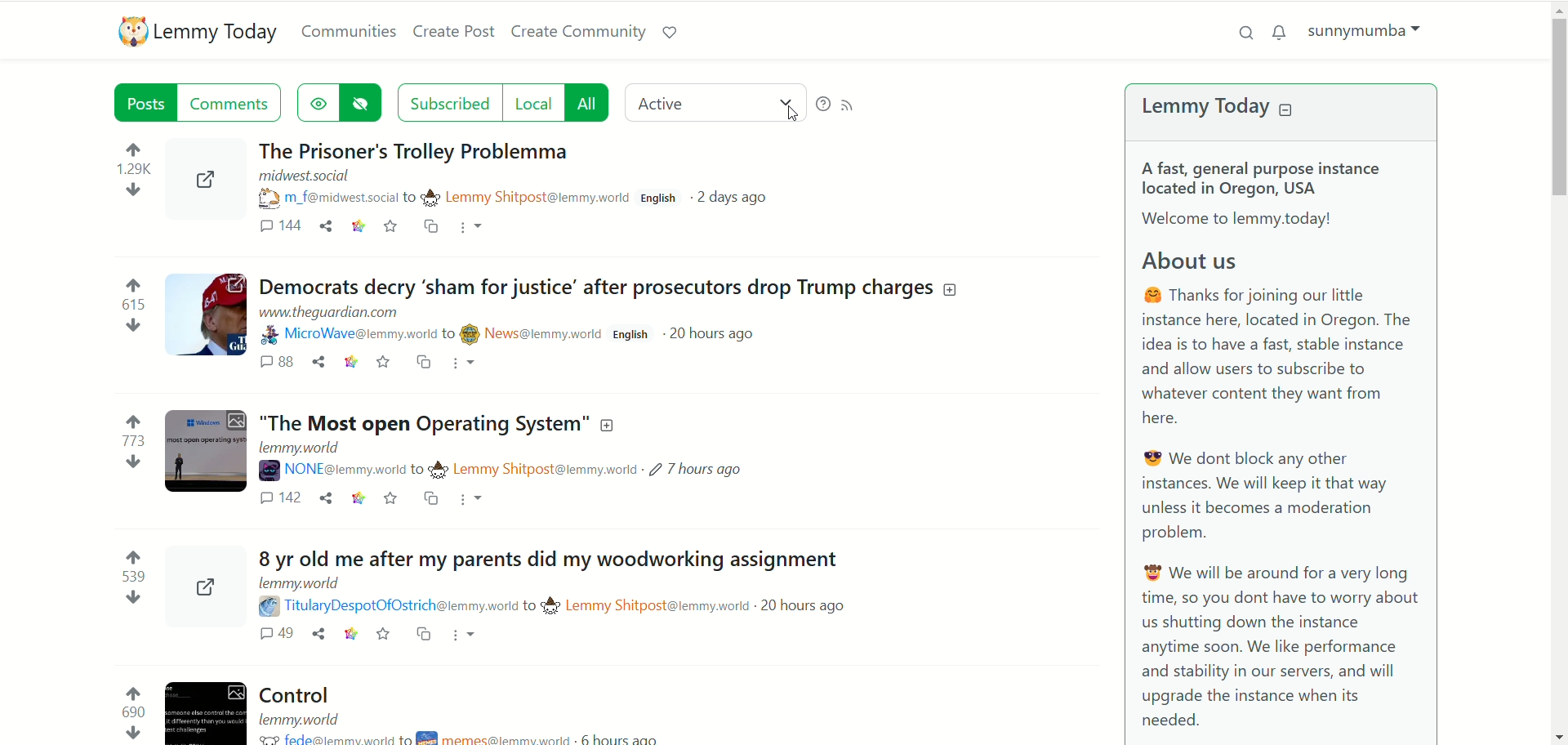  What do you see at coordinates (801, 605) in the screenshot?
I see `20 hours ago` at bounding box center [801, 605].